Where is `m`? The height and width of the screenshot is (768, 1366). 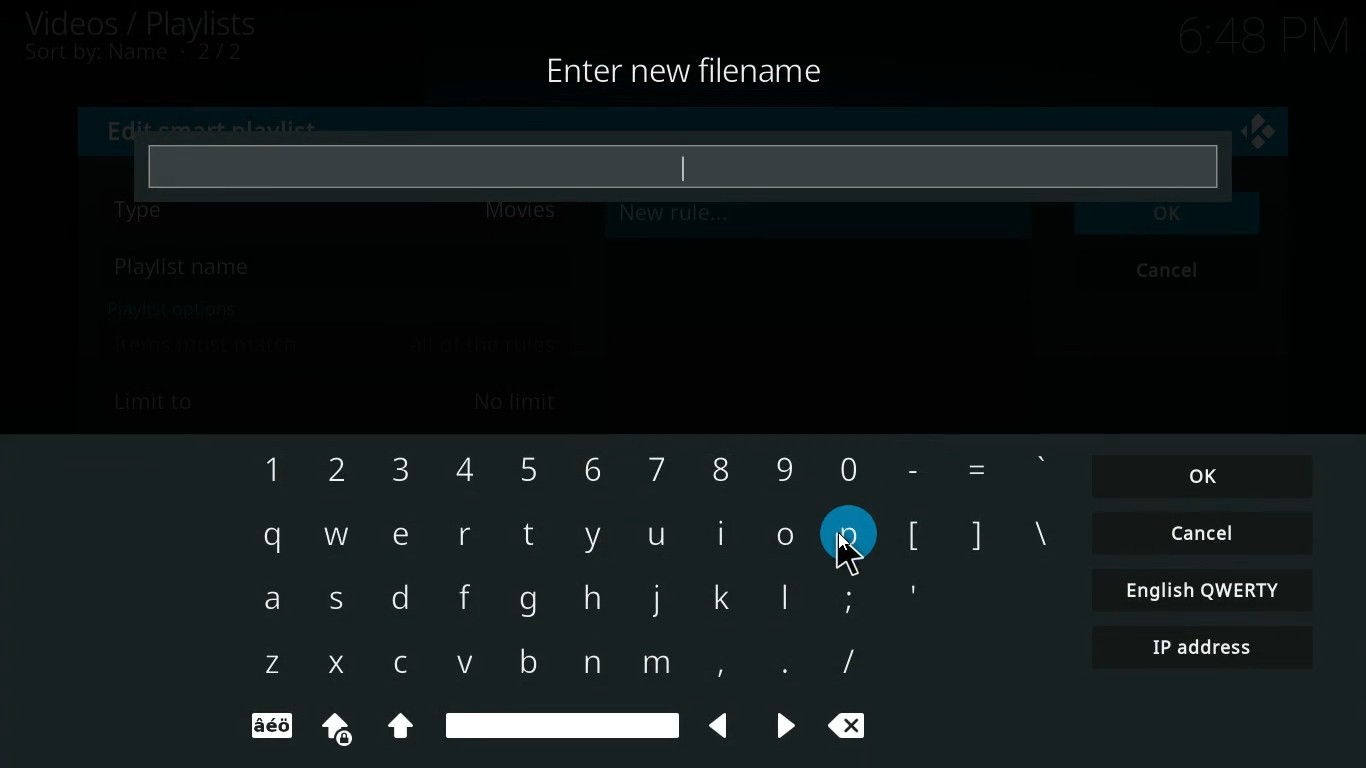
m is located at coordinates (655, 667).